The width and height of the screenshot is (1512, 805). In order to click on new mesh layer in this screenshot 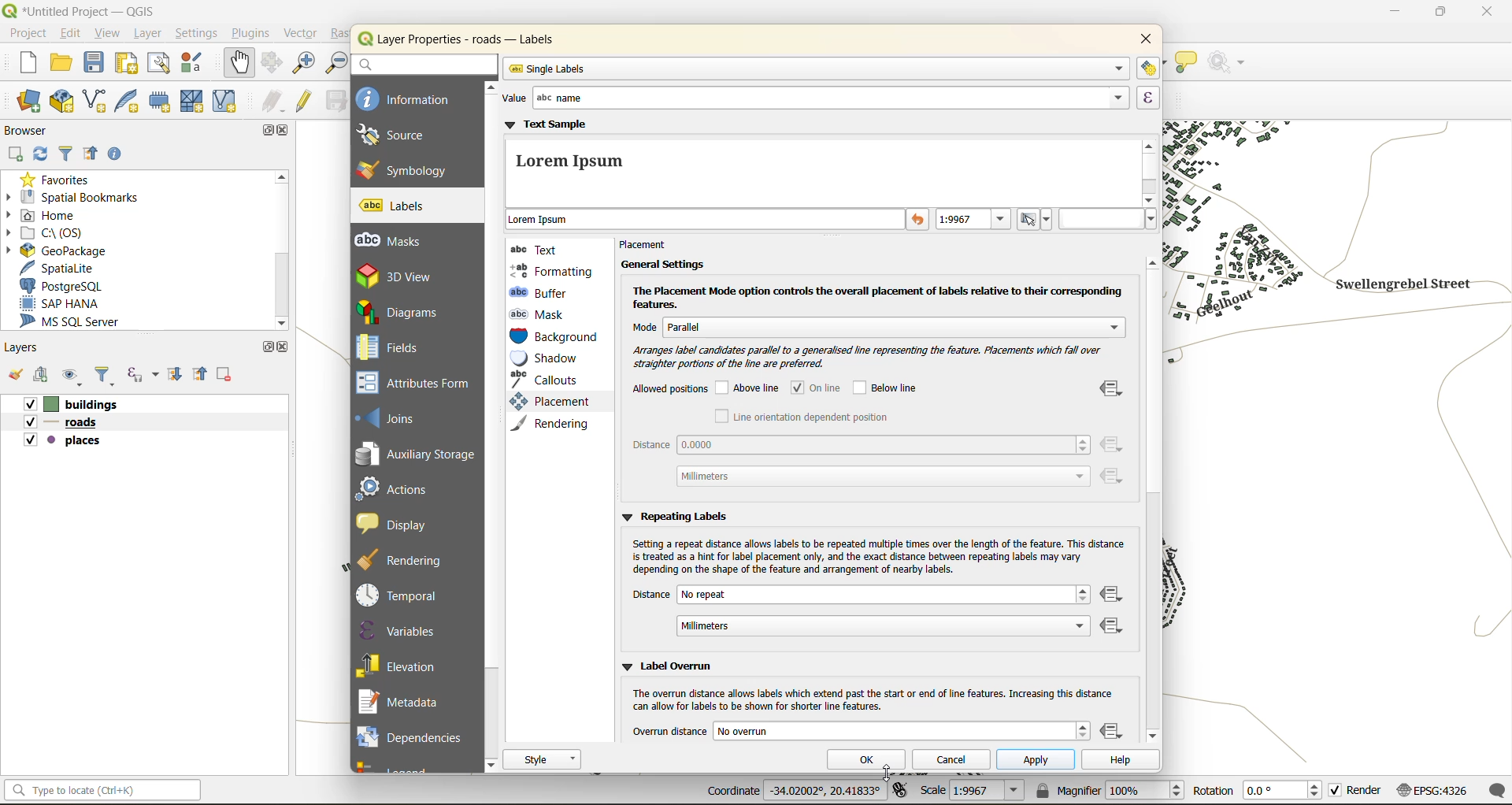, I will do `click(190, 102)`.